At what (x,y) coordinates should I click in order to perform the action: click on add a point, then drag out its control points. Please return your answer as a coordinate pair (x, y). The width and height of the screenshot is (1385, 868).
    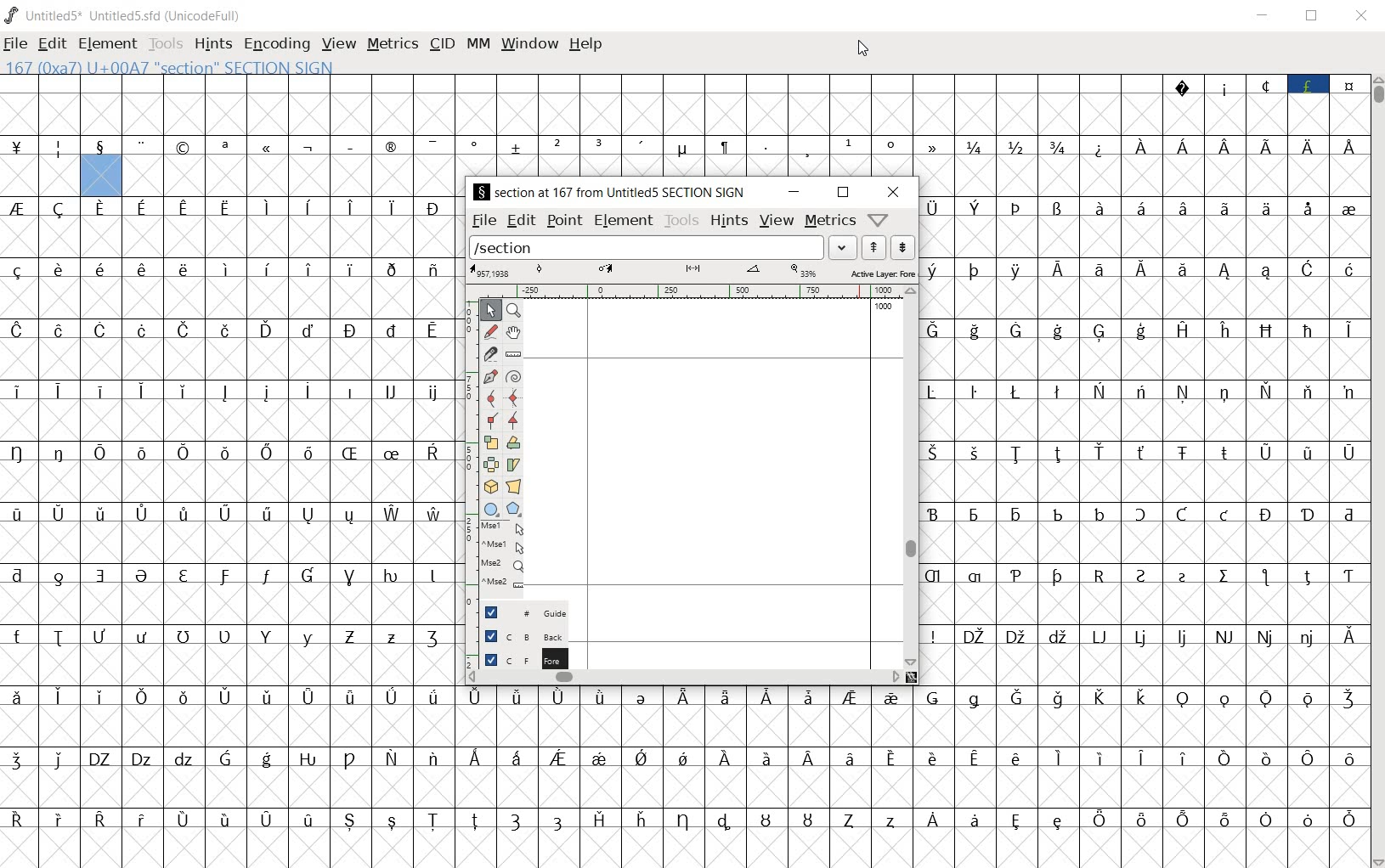
    Looking at the image, I should click on (489, 375).